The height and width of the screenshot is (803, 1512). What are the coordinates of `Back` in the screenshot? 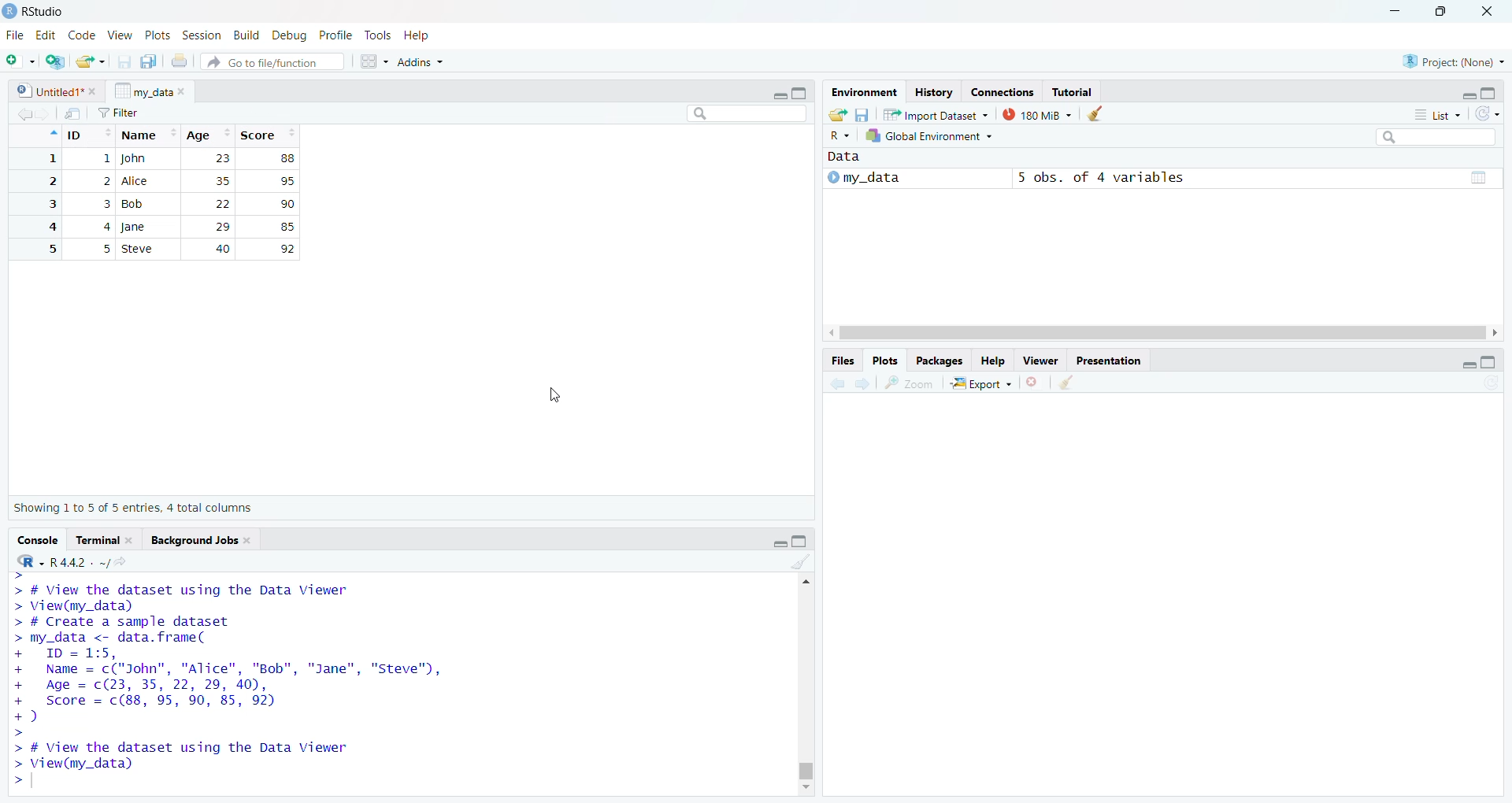 It's located at (24, 115).